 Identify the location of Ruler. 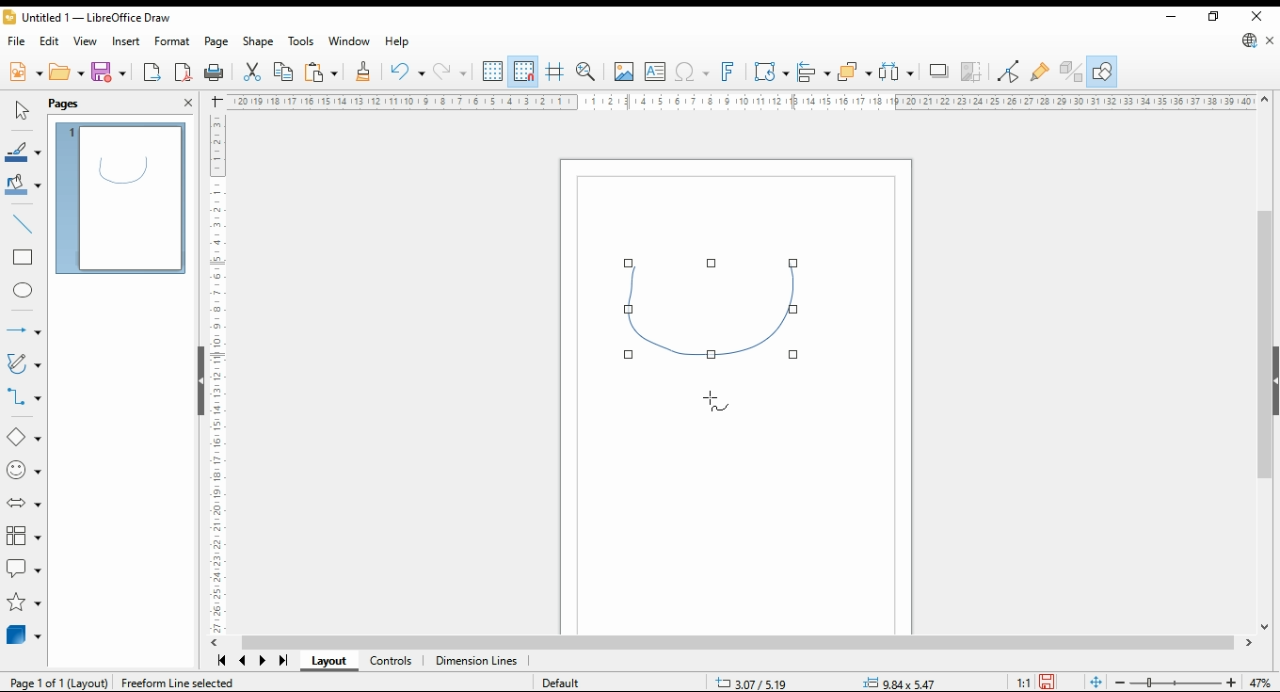
(740, 101).